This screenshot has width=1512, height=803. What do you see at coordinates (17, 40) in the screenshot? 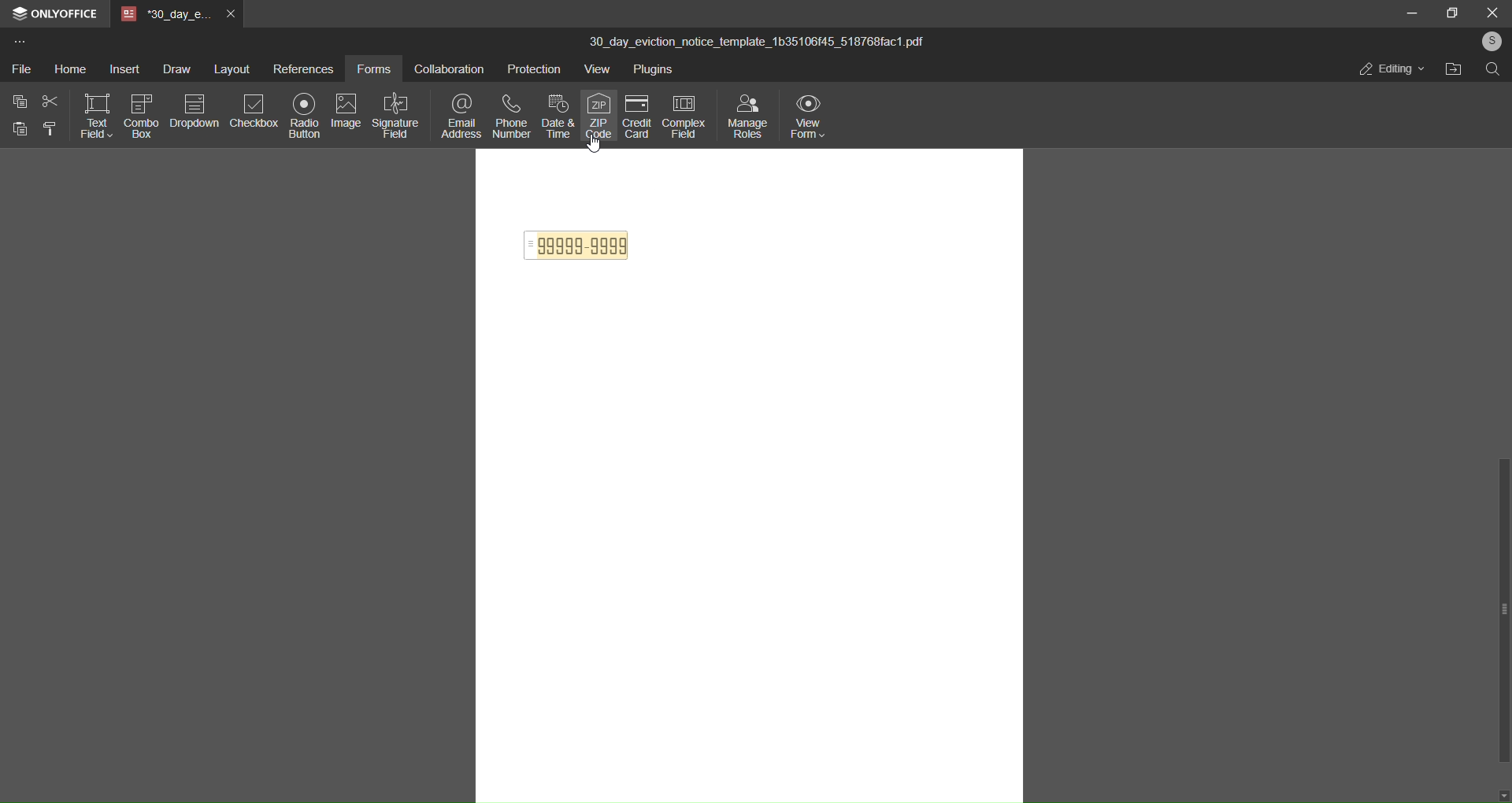
I see `more` at bounding box center [17, 40].